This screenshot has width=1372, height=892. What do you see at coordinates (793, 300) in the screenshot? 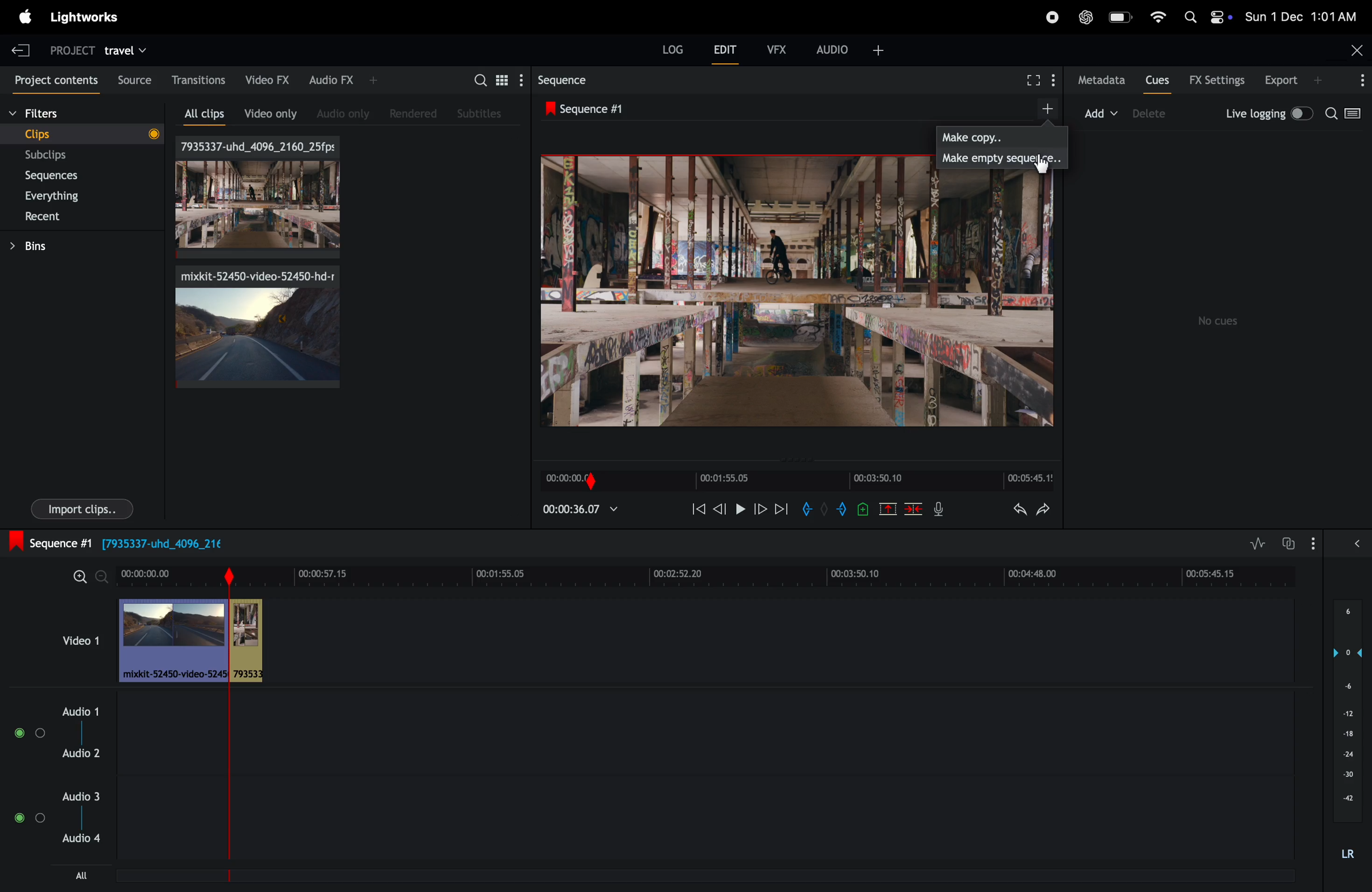
I see `output frame` at bounding box center [793, 300].